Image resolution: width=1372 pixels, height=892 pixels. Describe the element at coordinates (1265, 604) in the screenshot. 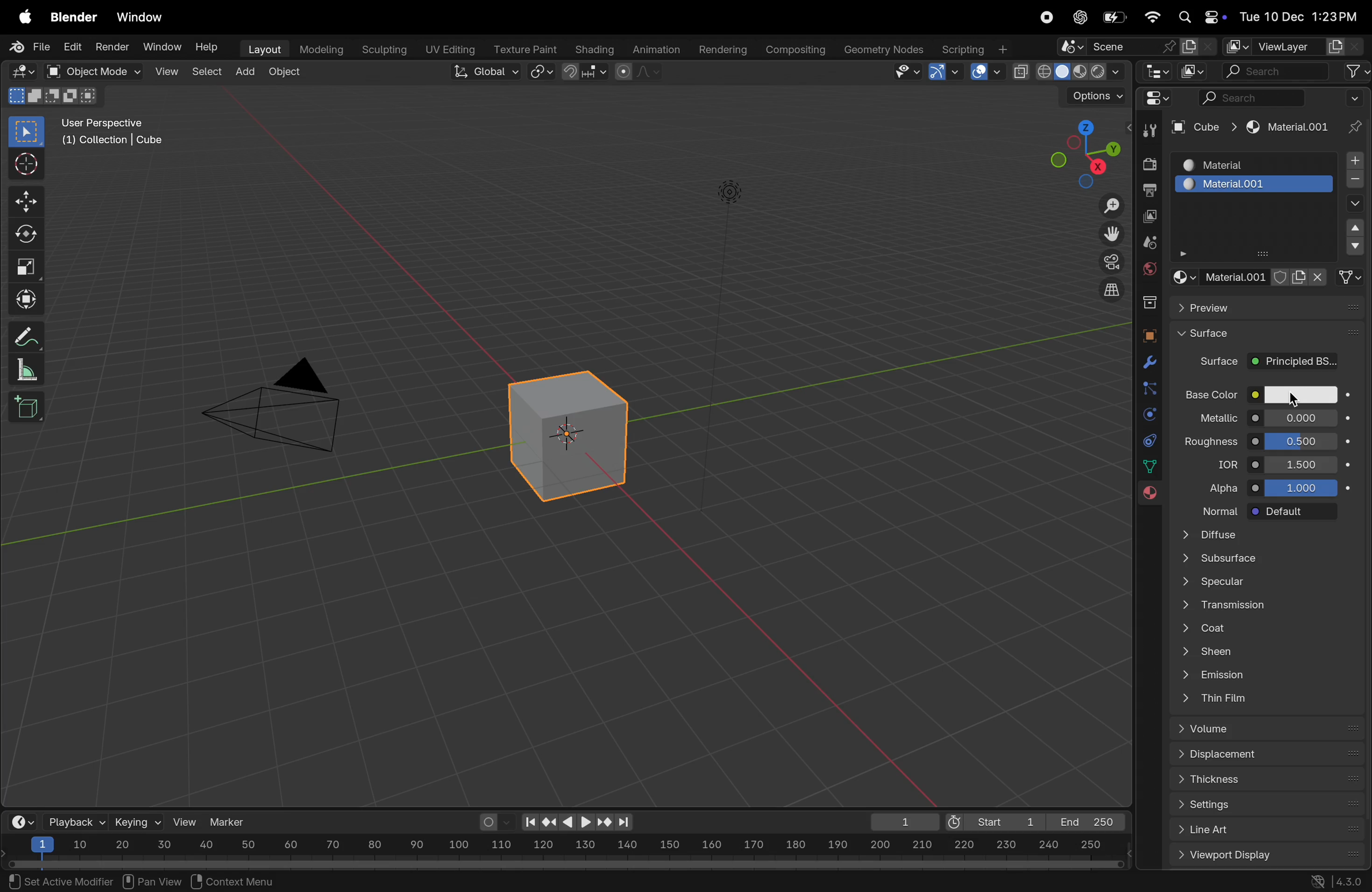

I see `transmission` at that location.